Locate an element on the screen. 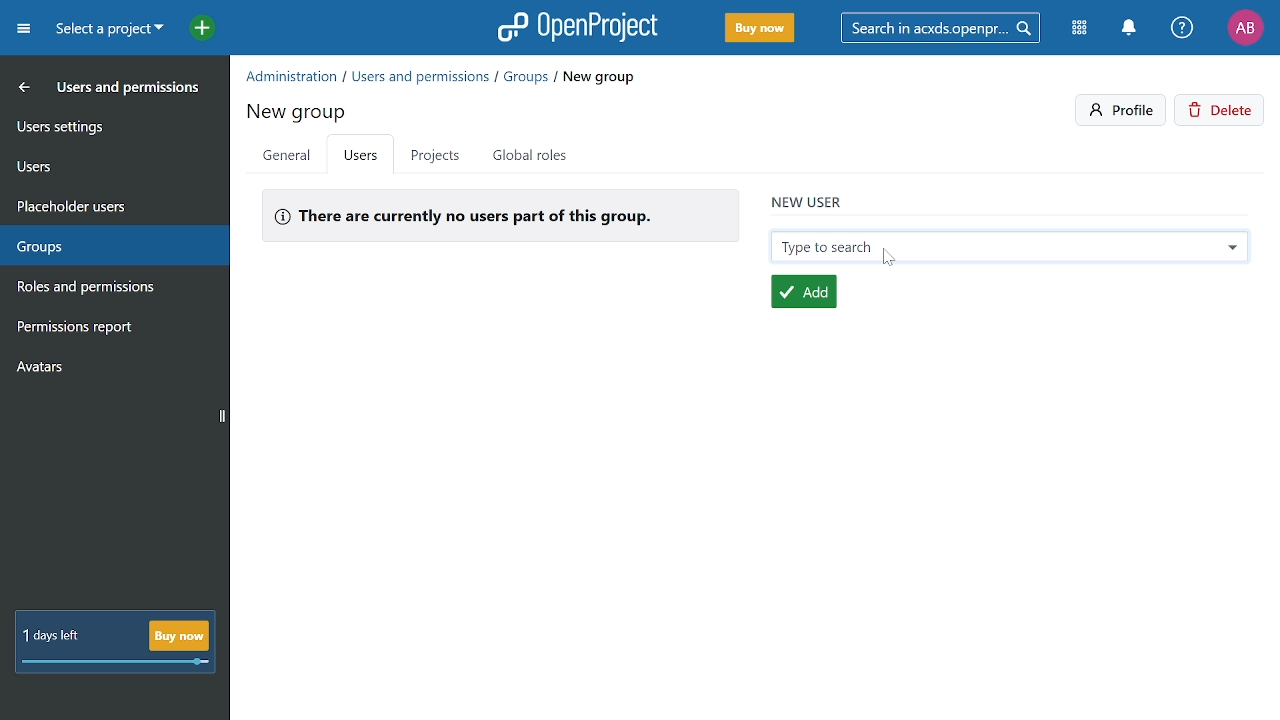  Profile is located at coordinates (1245, 27).